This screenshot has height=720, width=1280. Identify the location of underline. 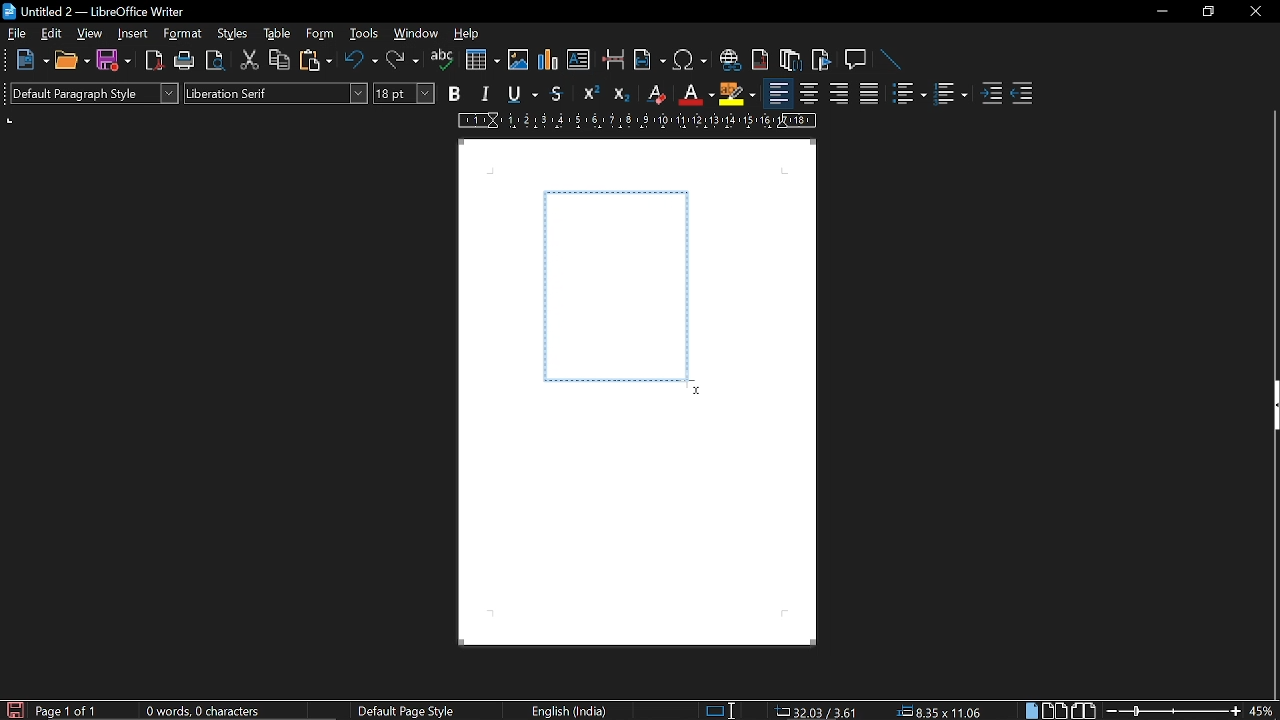
(519, 94).